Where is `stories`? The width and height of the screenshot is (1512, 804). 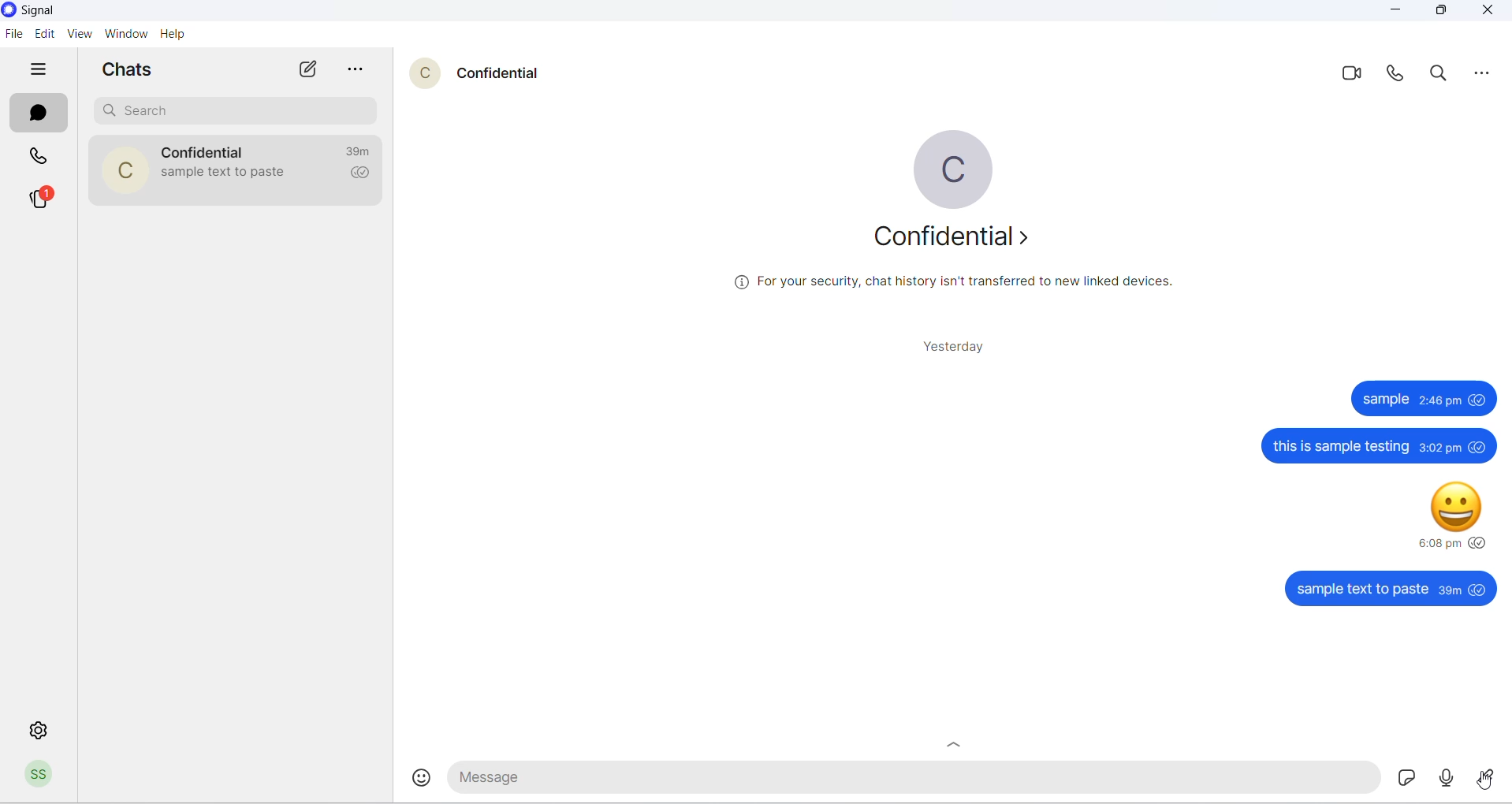
stories is located at coordinates (40, 198).